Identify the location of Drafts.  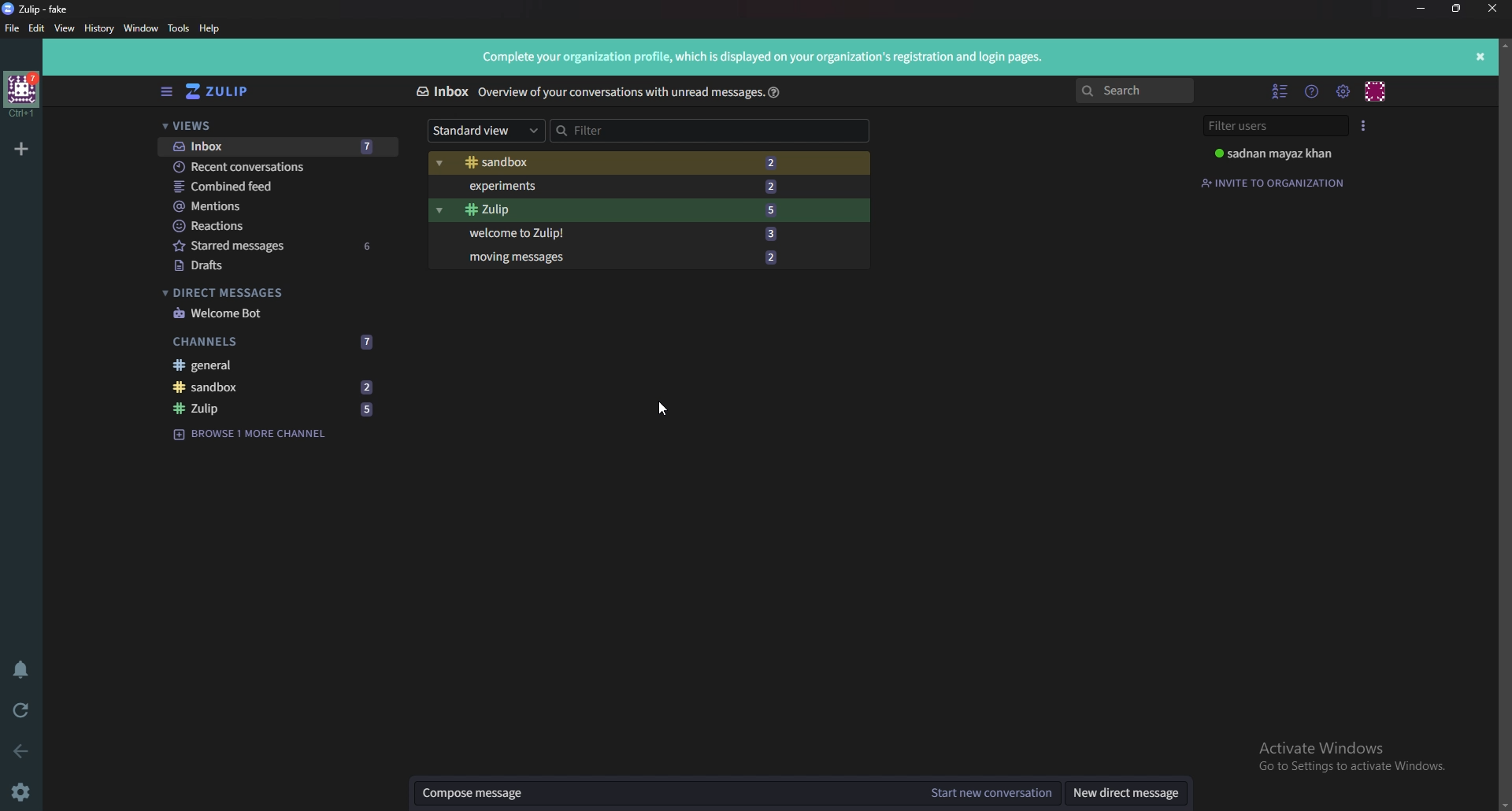
(281, 265).